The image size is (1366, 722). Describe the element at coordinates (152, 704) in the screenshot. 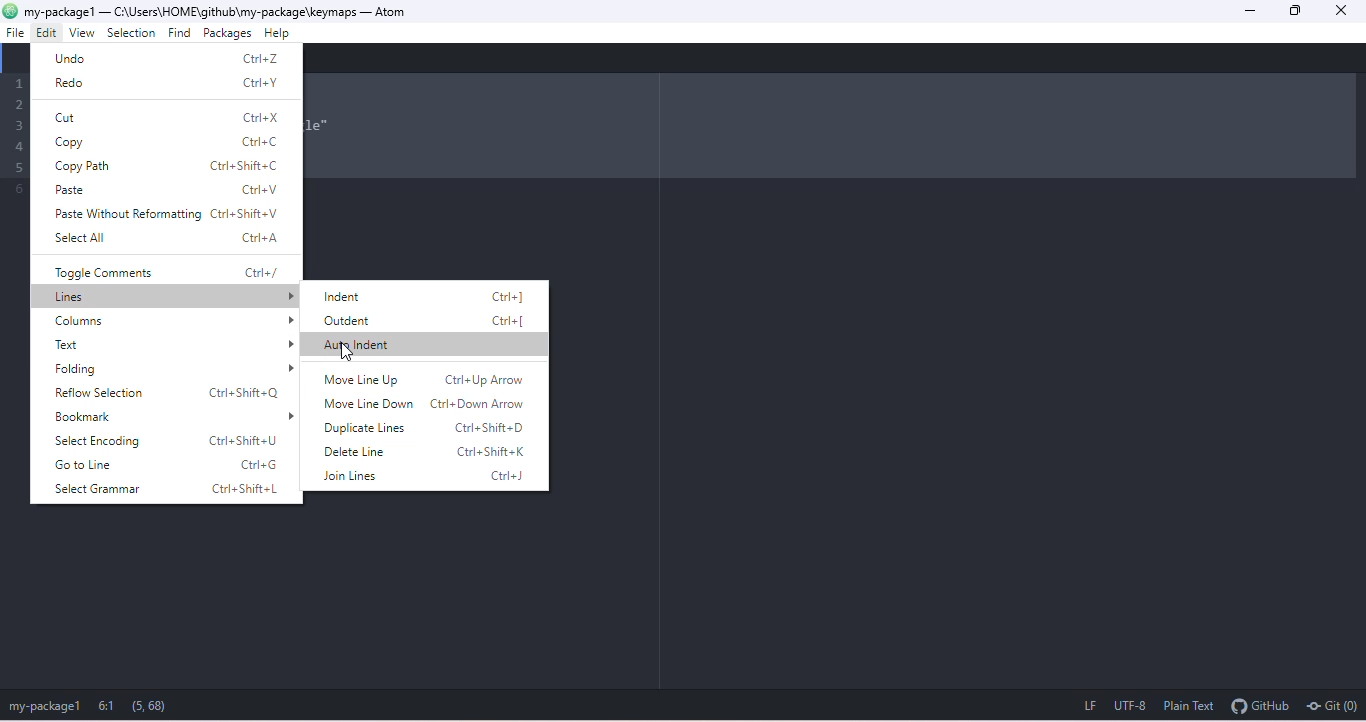

I see `(5, 68)` at that location.